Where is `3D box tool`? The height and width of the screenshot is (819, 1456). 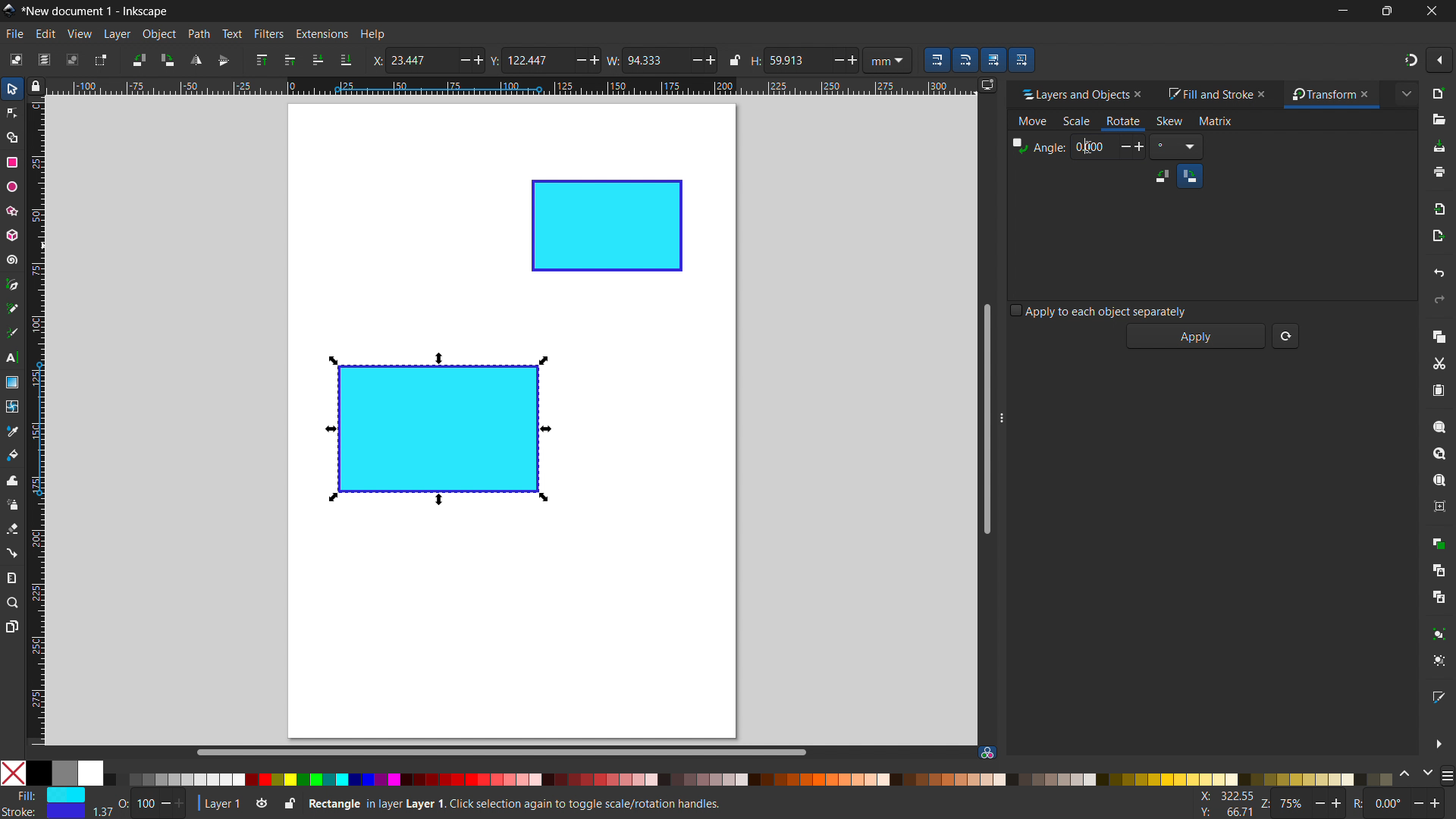
3D box tool is located at coordinates (11, 234).